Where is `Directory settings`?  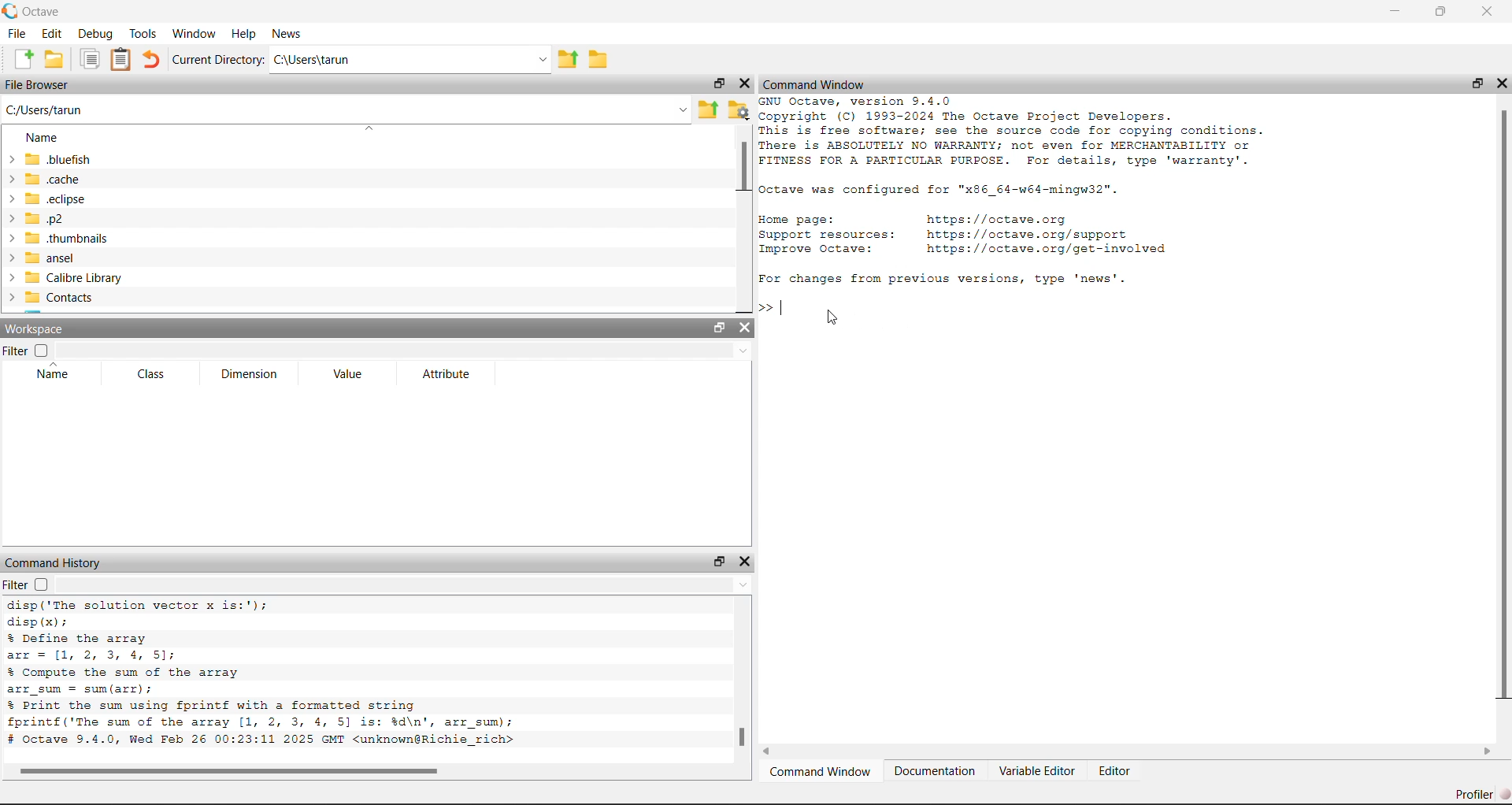
Directory settings is located at coordinates (739, 109).